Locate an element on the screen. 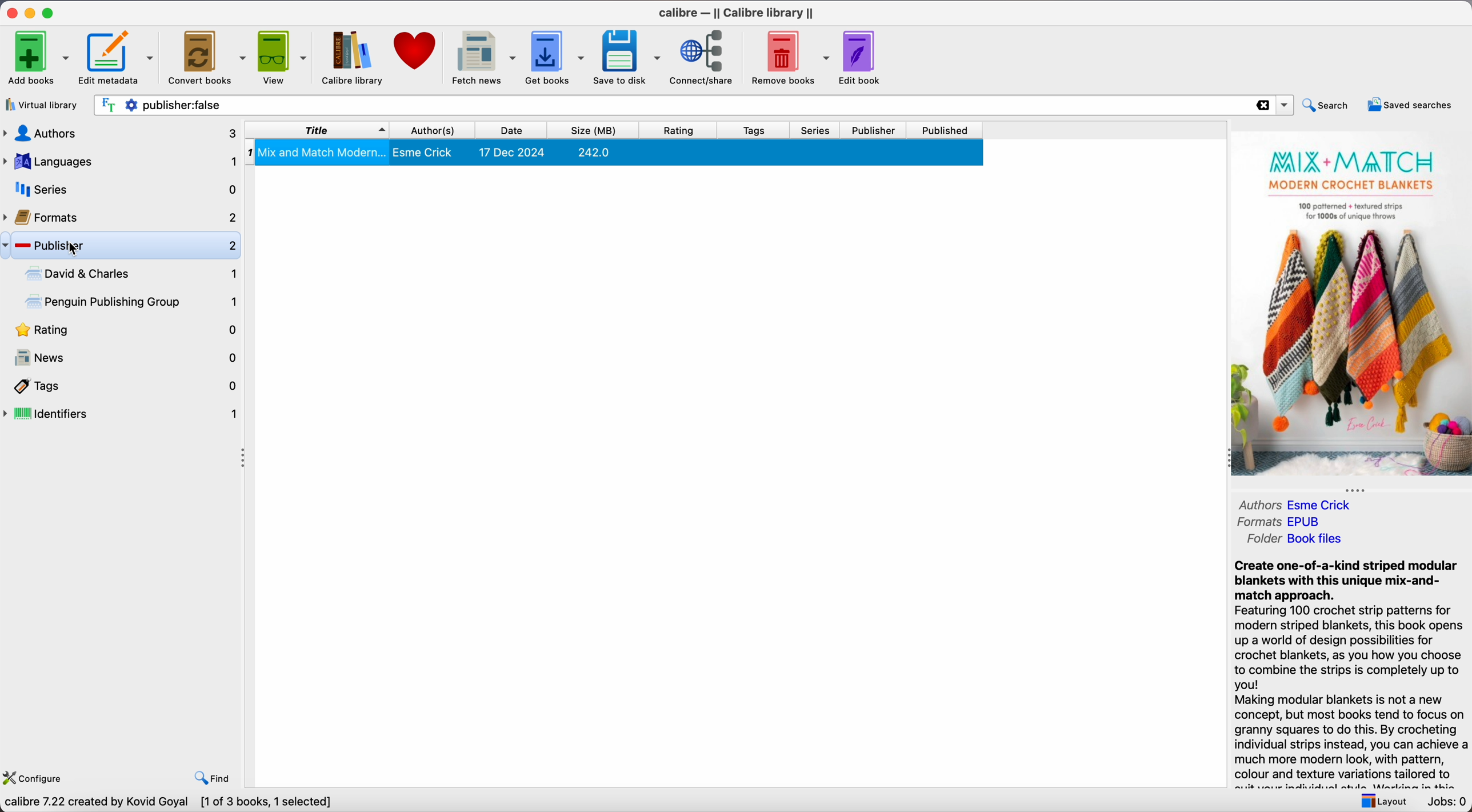 Image resolution: width=1472 pixels, height=812 pixels. remove books is located at coordinates (791, 57).